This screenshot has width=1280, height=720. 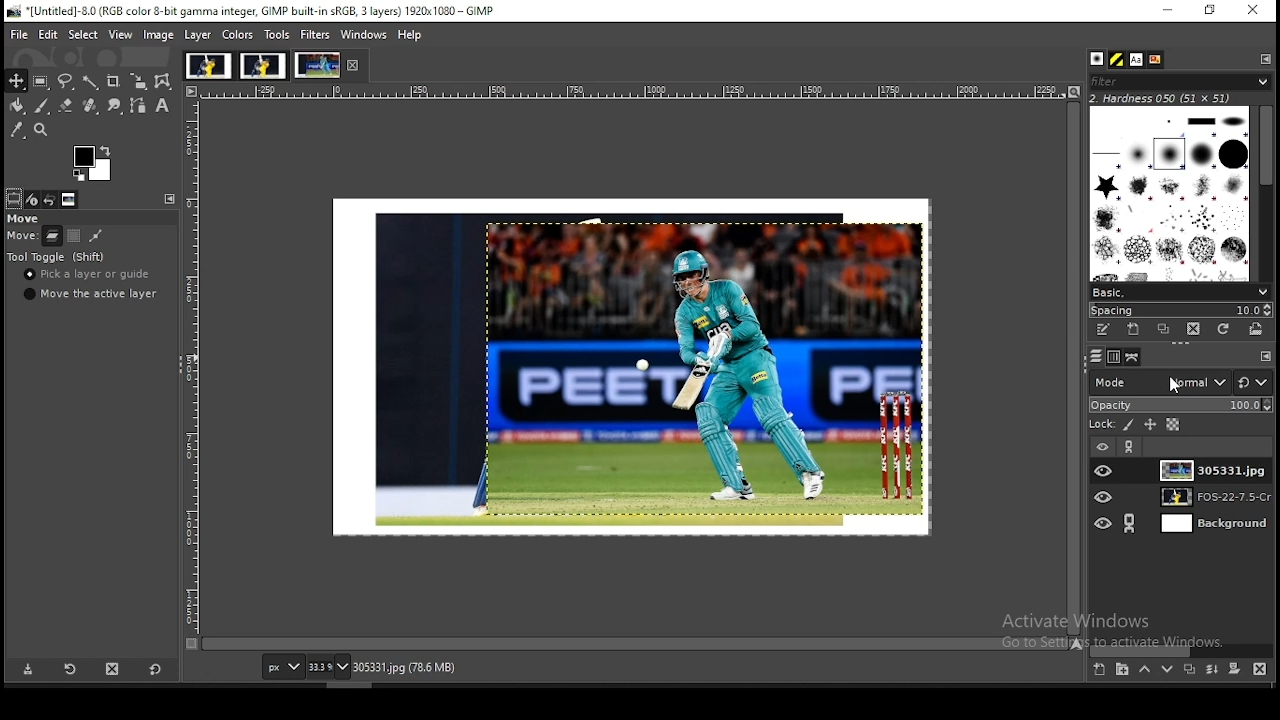 I want to click on zoom tool, so click(x=40, y=129).